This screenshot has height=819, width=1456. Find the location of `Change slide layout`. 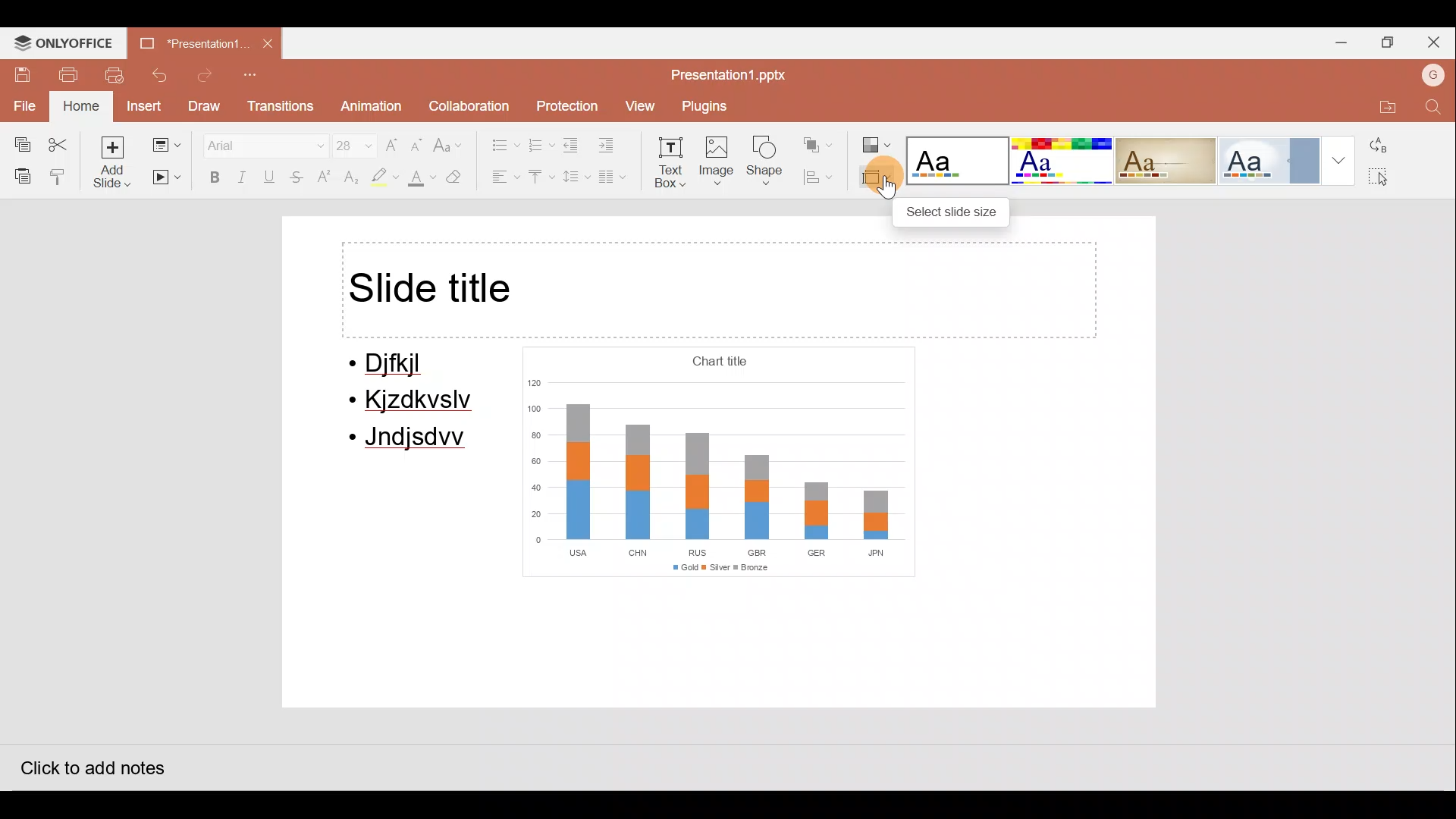

Change slide layout is located at coordinates (165, 142).